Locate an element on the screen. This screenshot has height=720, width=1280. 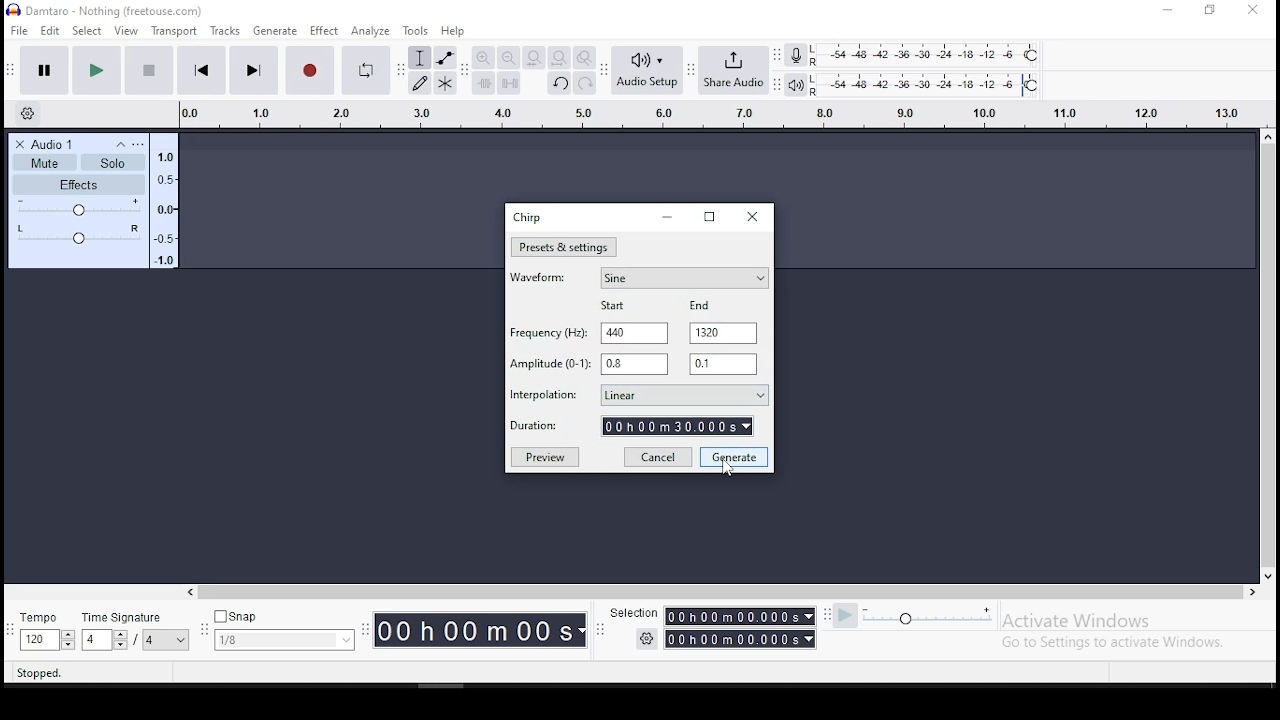
skip to end is located at coordinates (254, 70).